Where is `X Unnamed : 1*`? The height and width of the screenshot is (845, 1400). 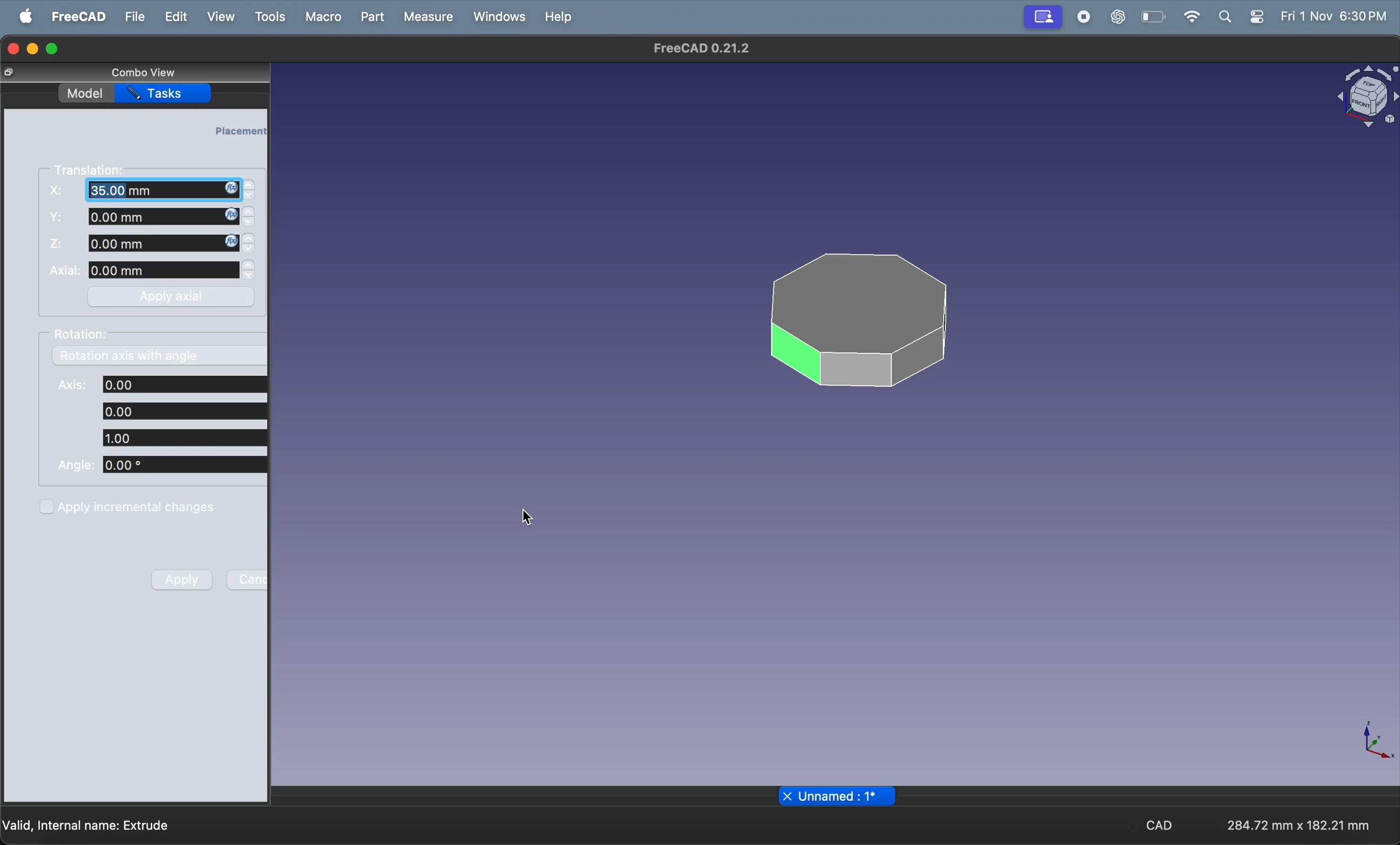 X Unnamed : 1* is located at coordinates (839, 796).